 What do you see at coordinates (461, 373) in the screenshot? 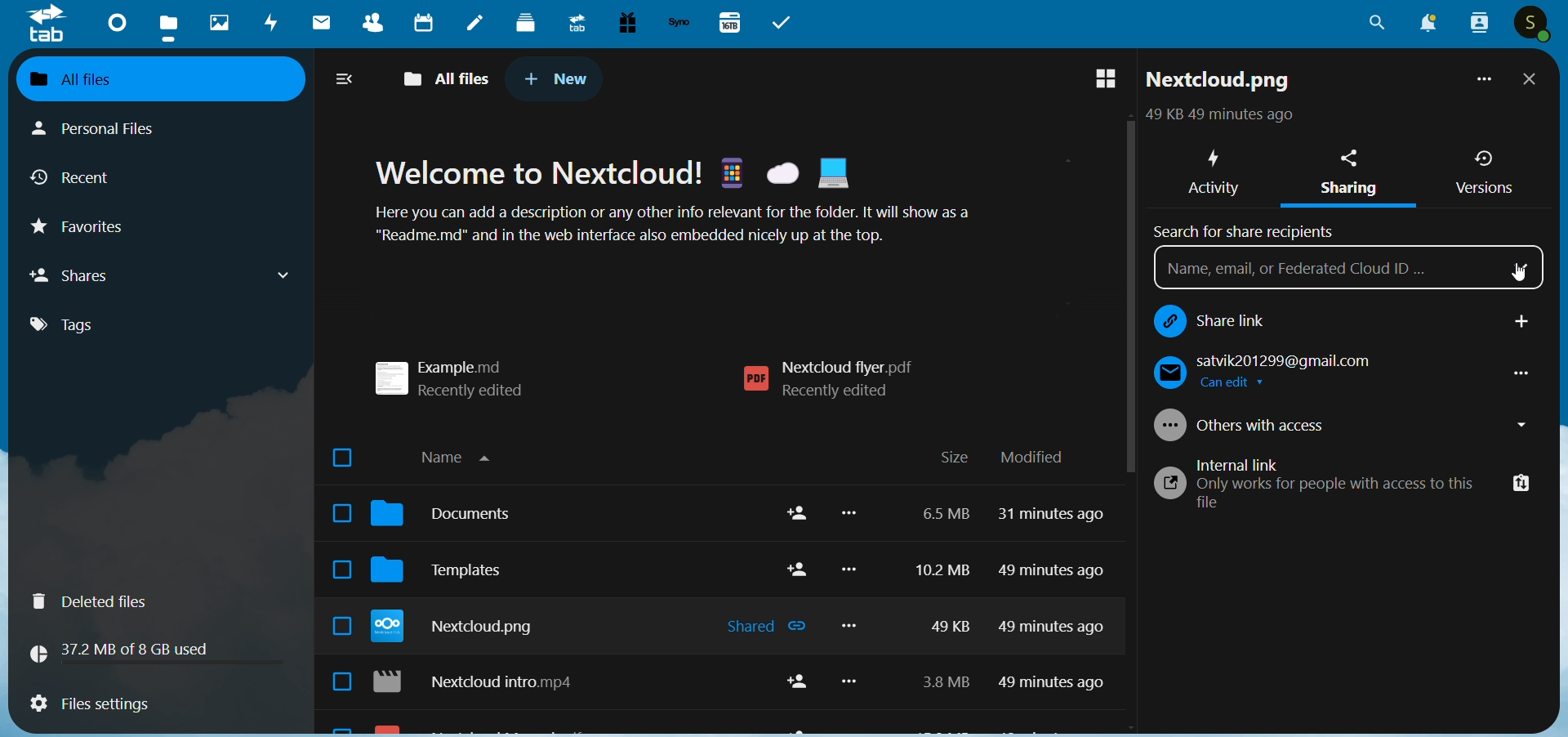
I see `example` at bounding box center [461, 373].